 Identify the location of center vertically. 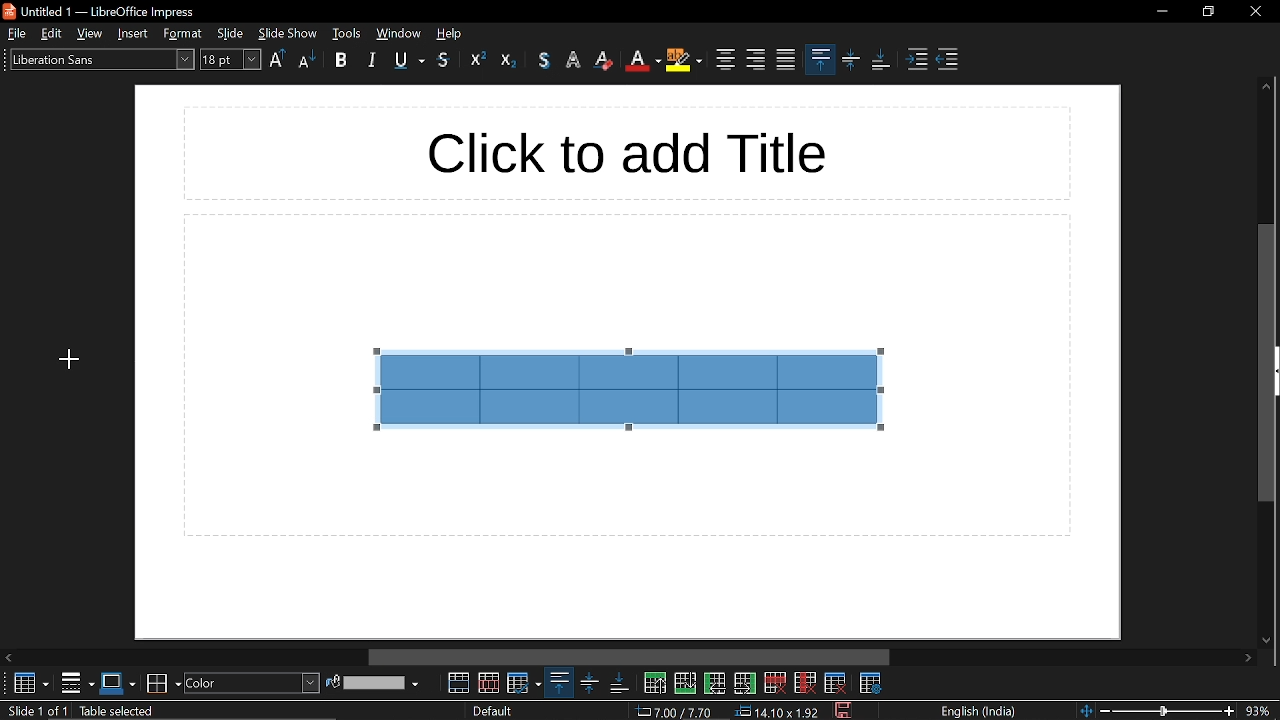
(853, 62).